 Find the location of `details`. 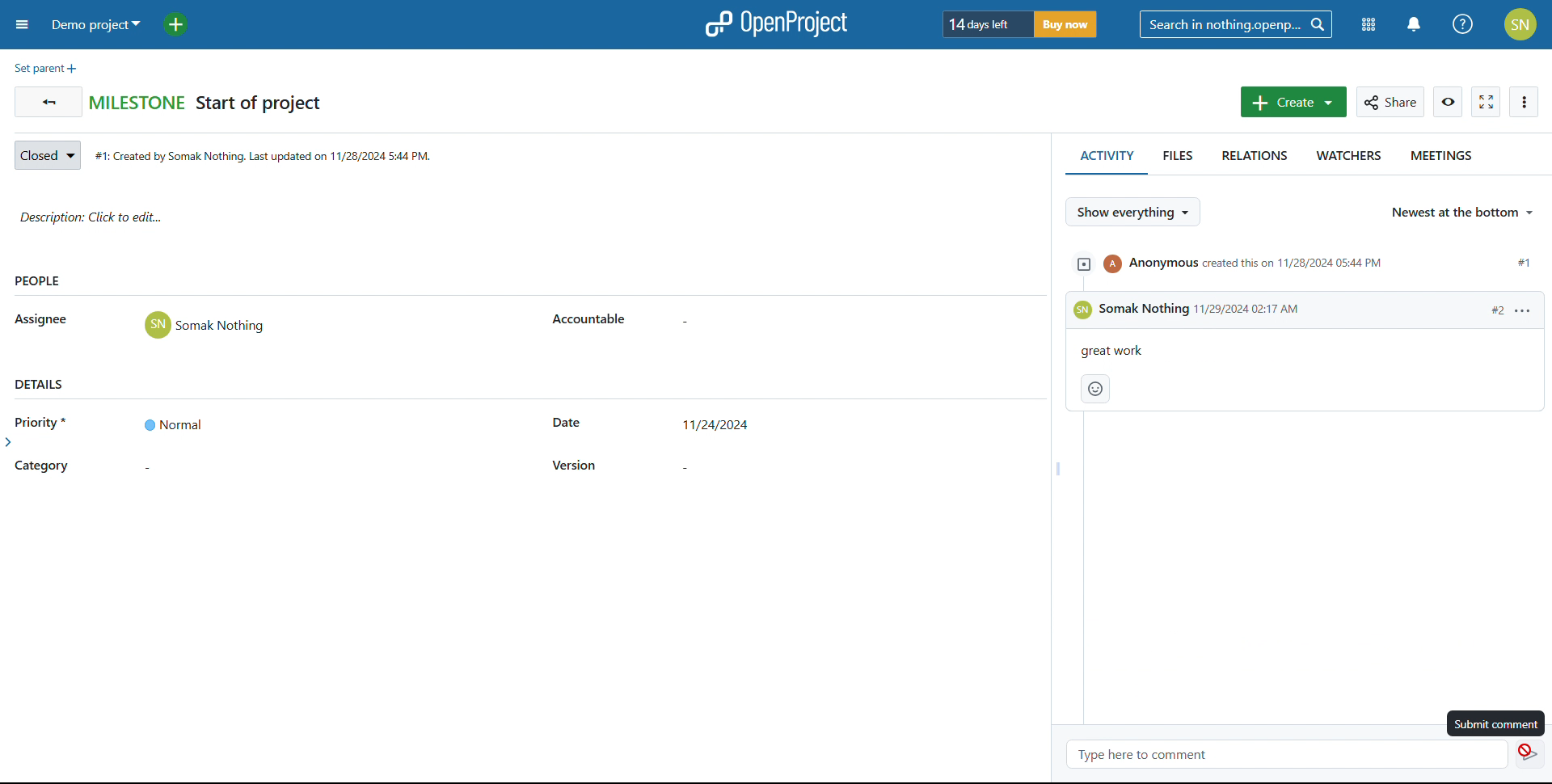

details is located at coordinates (40, 383).